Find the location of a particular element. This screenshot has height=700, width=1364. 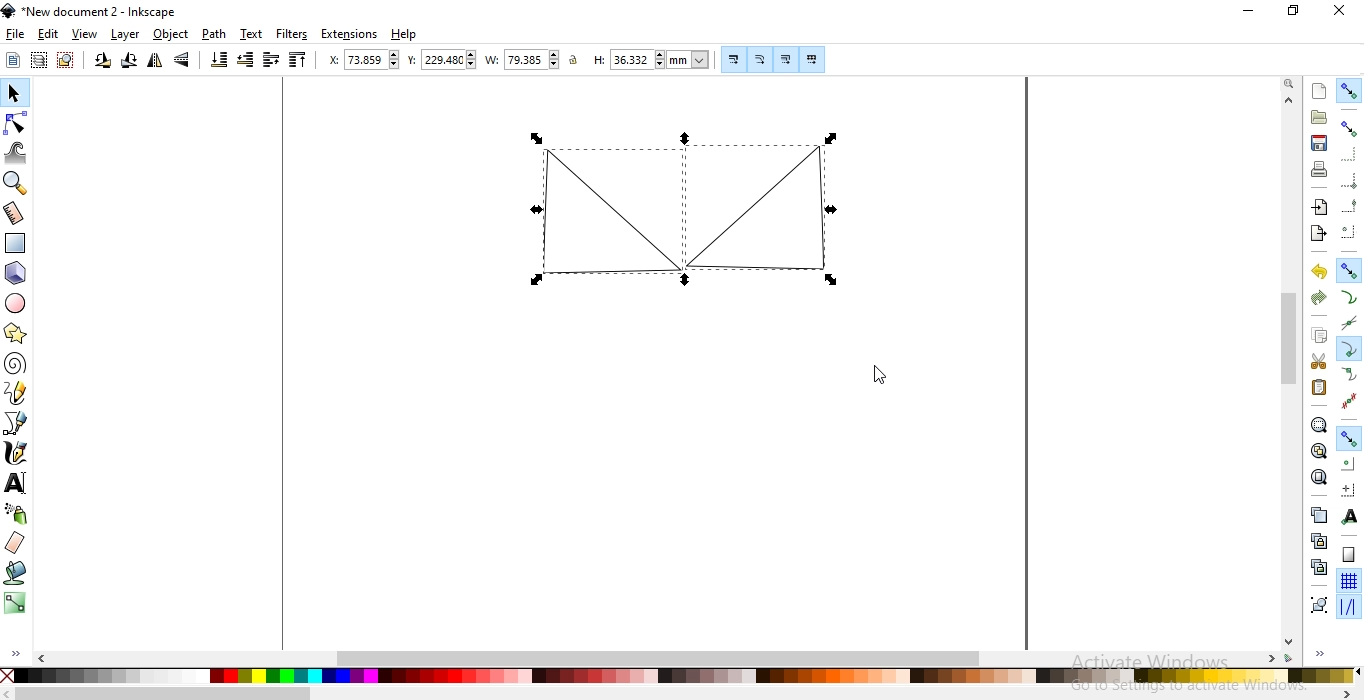

snap bounding boxes is located at coordinates (1350, 127).